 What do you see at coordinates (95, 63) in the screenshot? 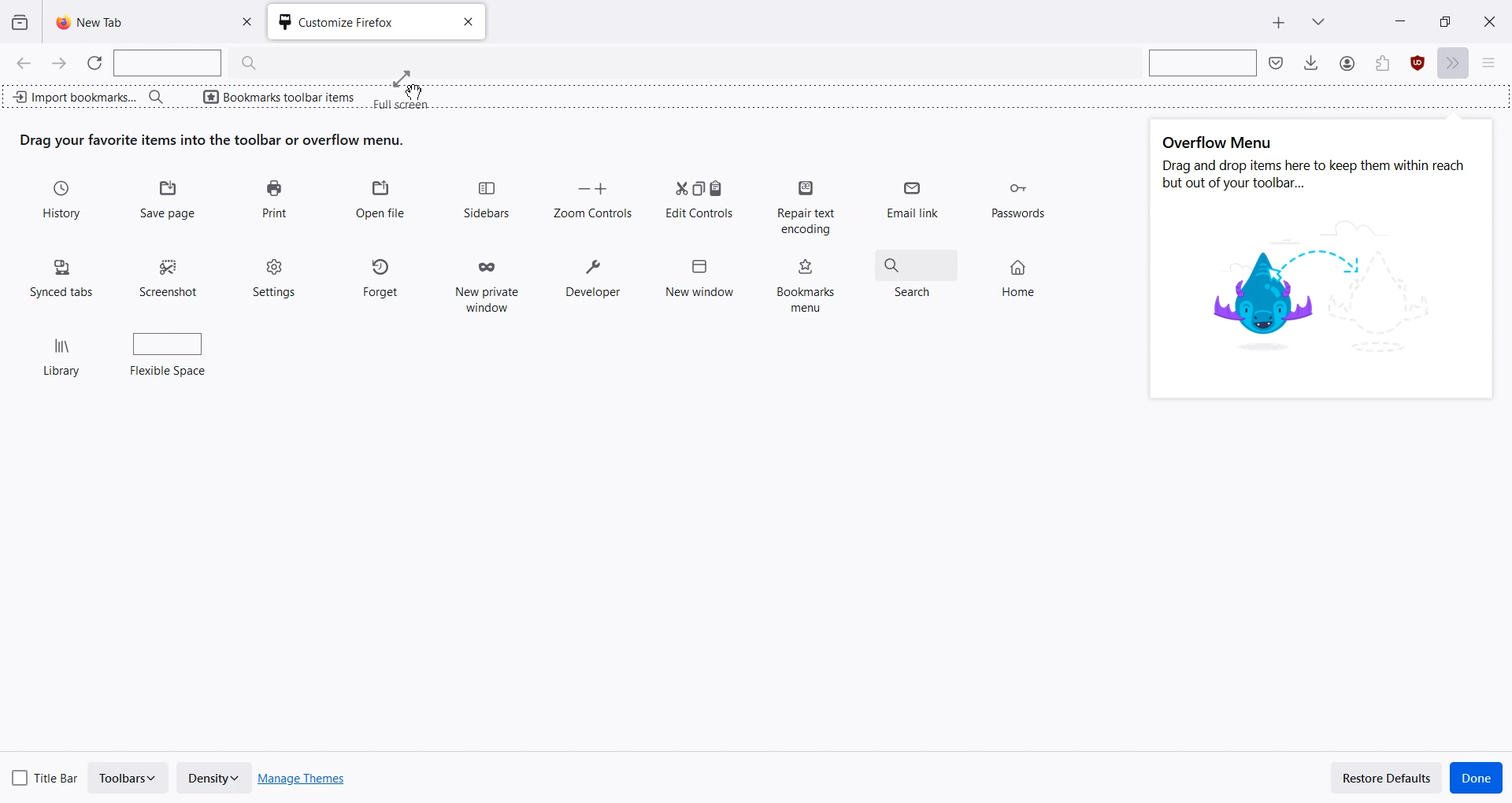
I see `Refresh` at bounding box center [95, 63].